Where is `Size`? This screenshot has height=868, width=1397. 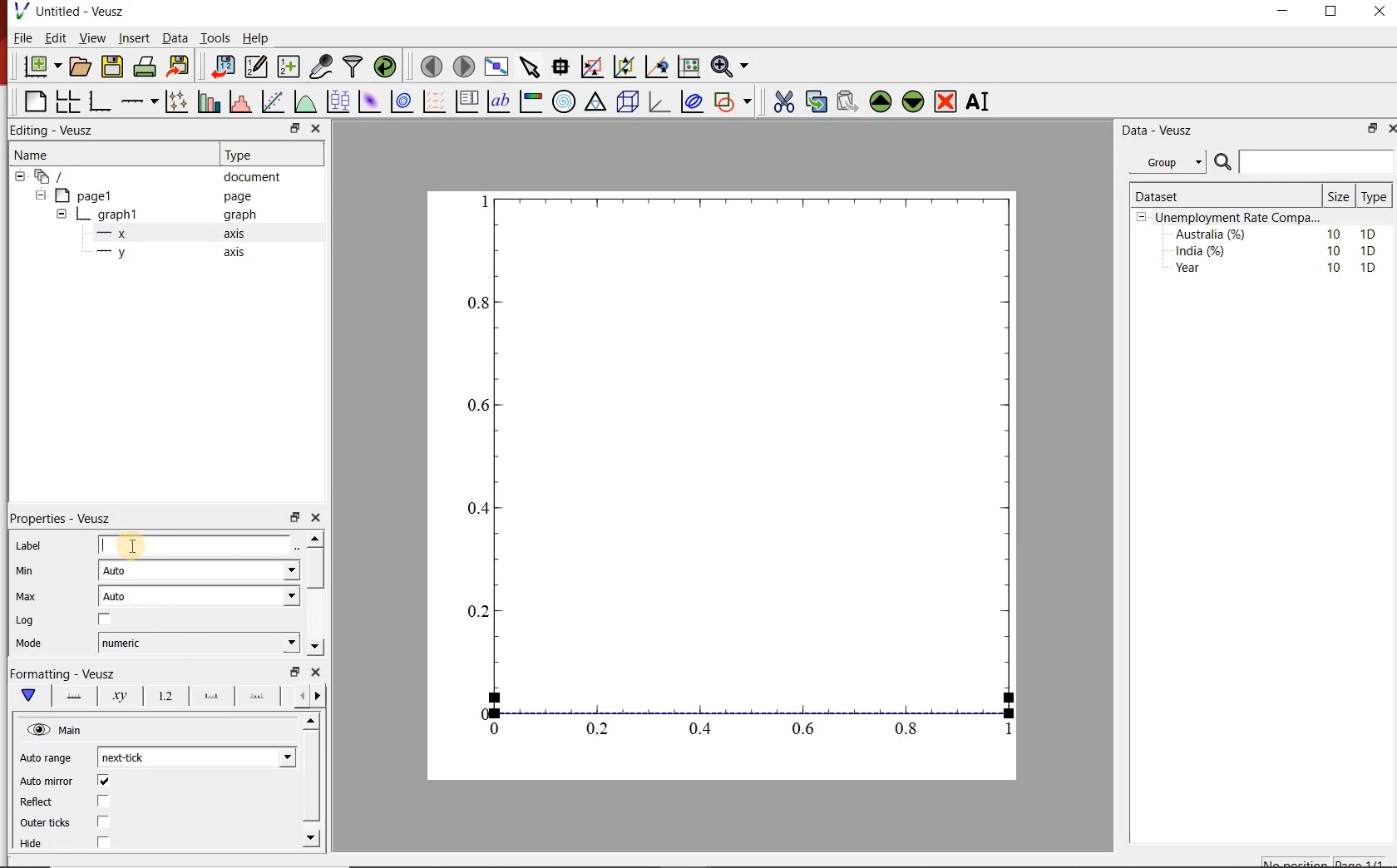
Size is located at coordinates (1340, 196).